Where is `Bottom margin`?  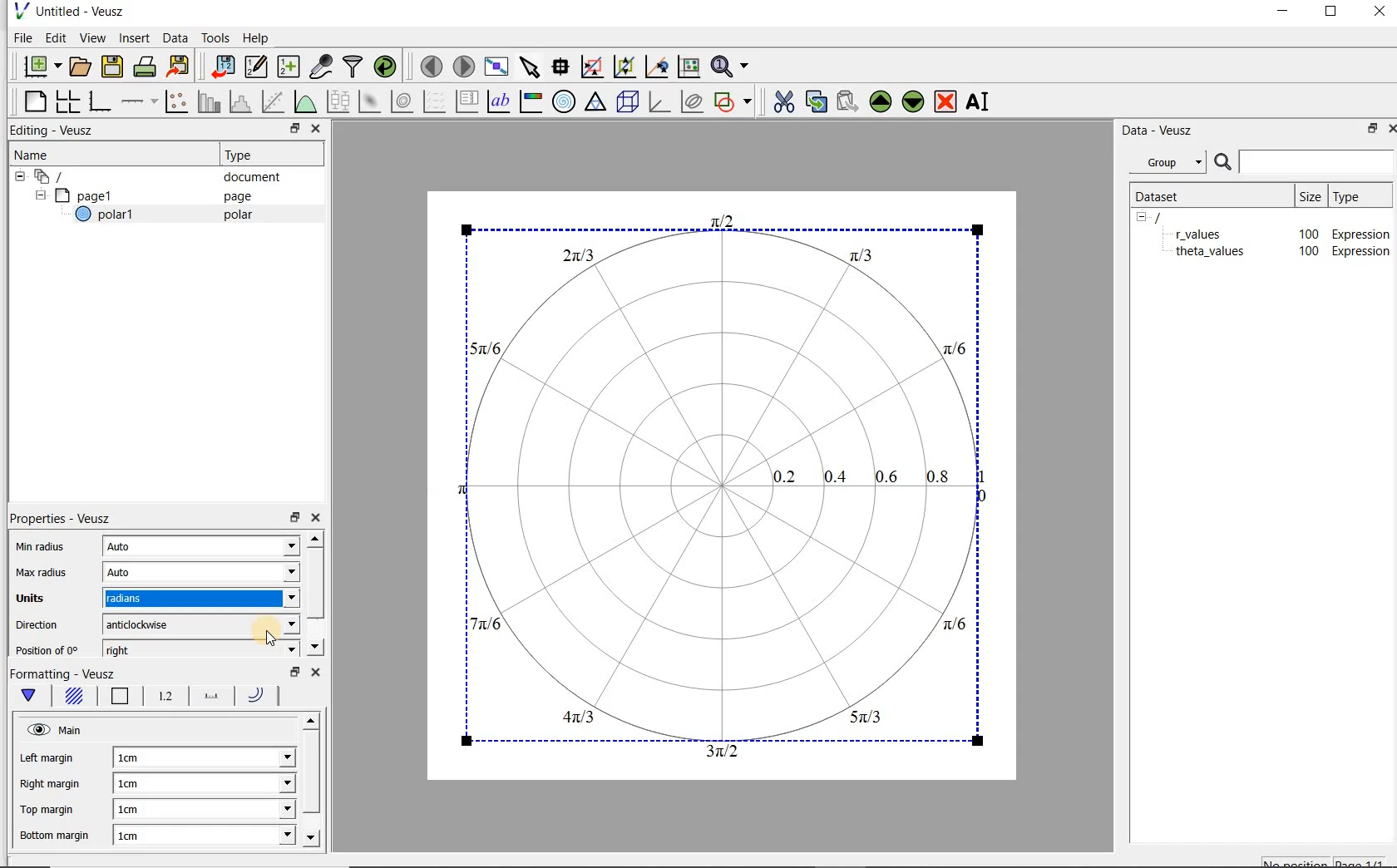
Bottom margin is located at coordinates (57, 836).